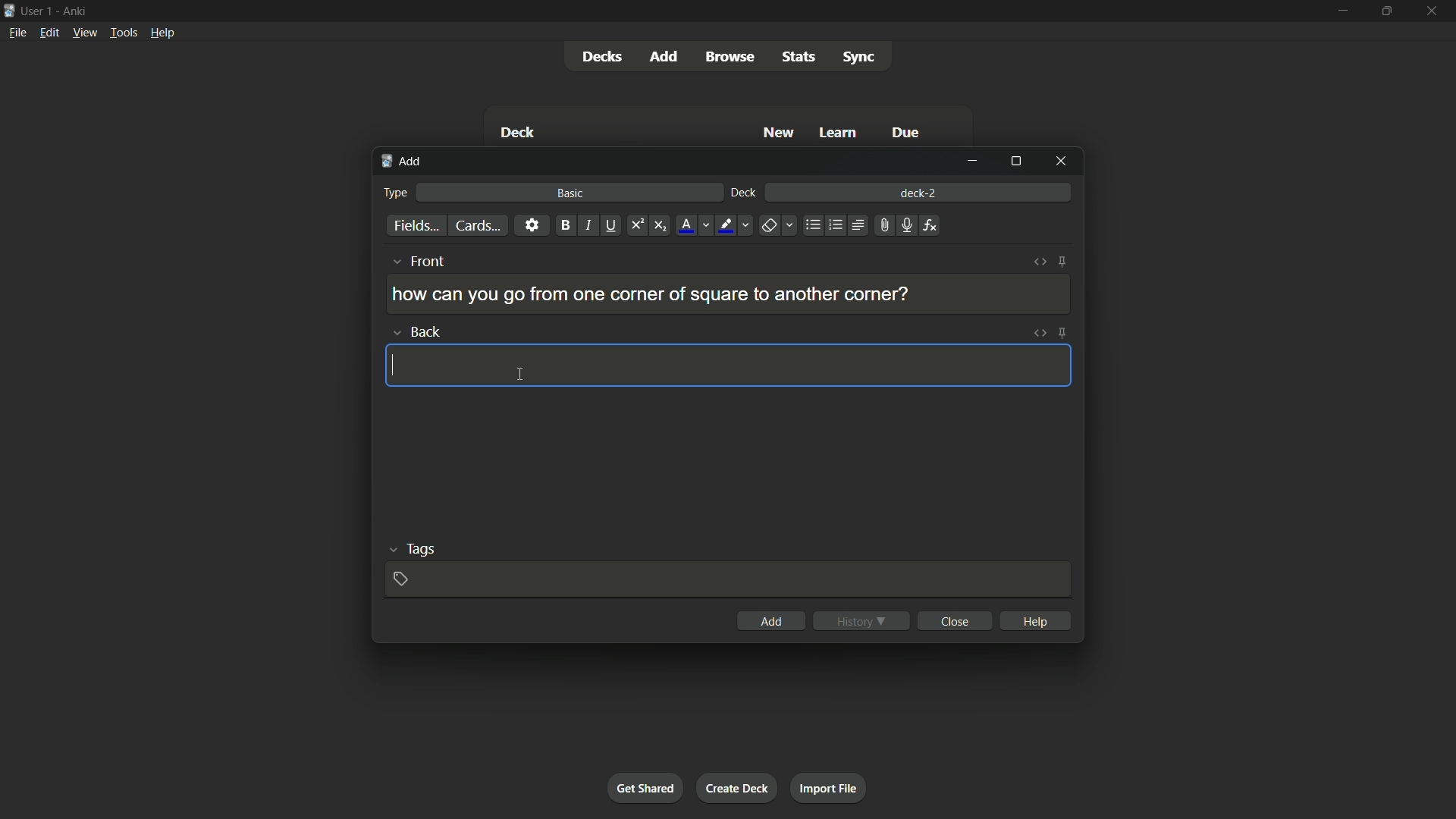  I want to click on sync, so click(859, 58).